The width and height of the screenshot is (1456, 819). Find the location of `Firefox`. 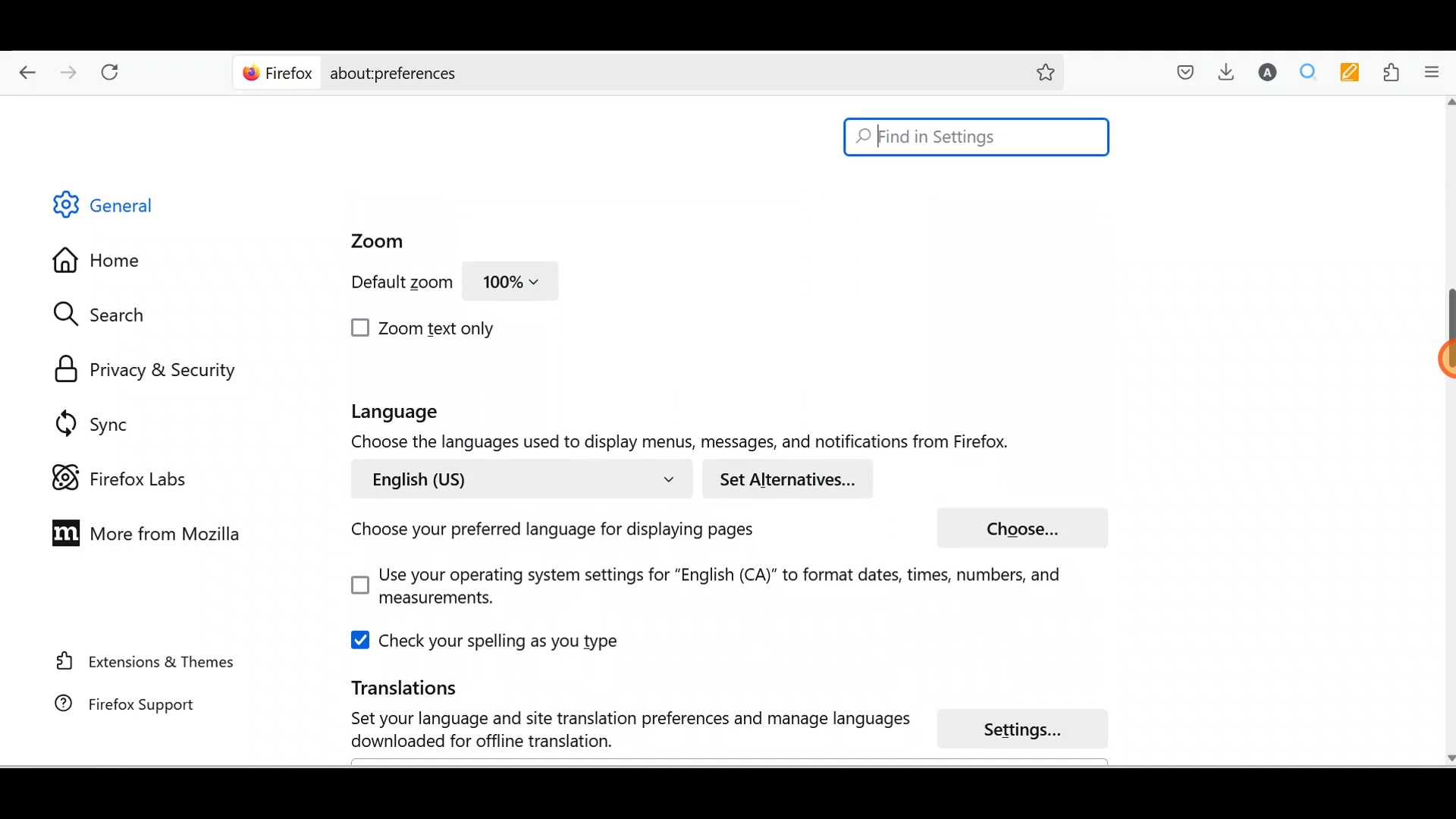

Firefox is located at coordinates (278, 72).